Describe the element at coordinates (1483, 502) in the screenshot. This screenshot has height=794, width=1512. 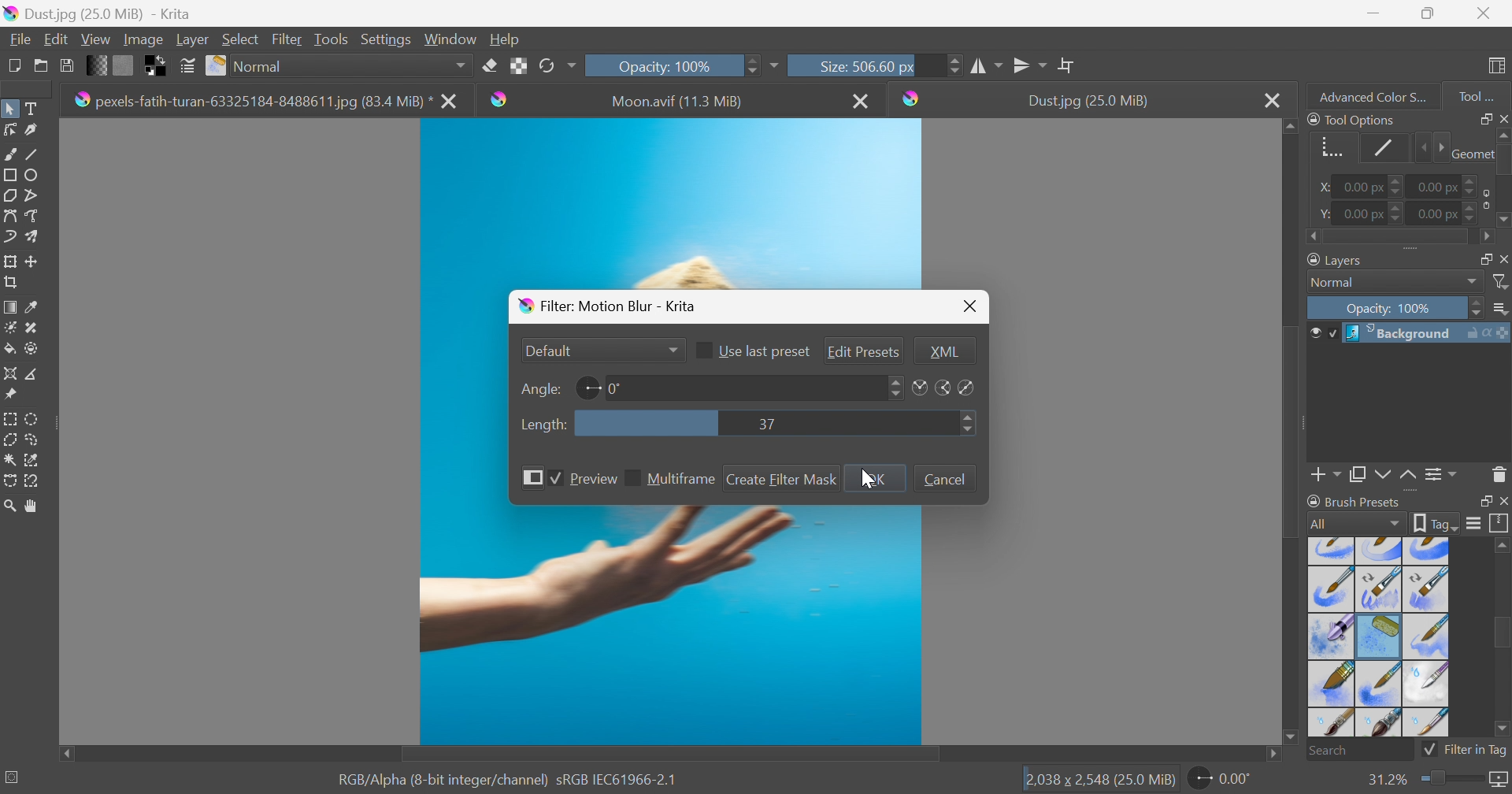
I see `Float Docker` at that location.